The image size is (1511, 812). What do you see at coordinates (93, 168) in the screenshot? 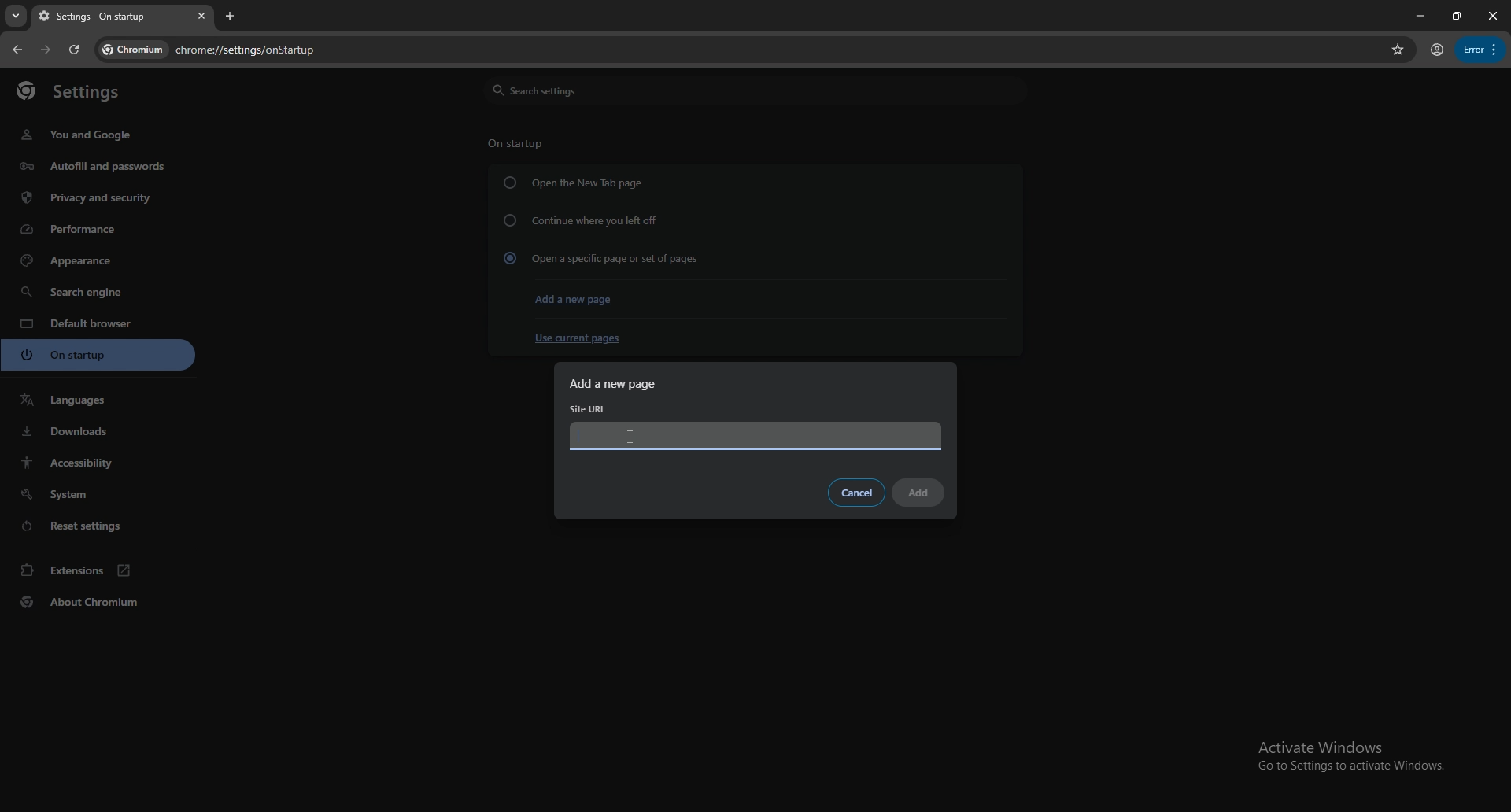
I see `autofill and passwords` at bounding box center [93, 168].